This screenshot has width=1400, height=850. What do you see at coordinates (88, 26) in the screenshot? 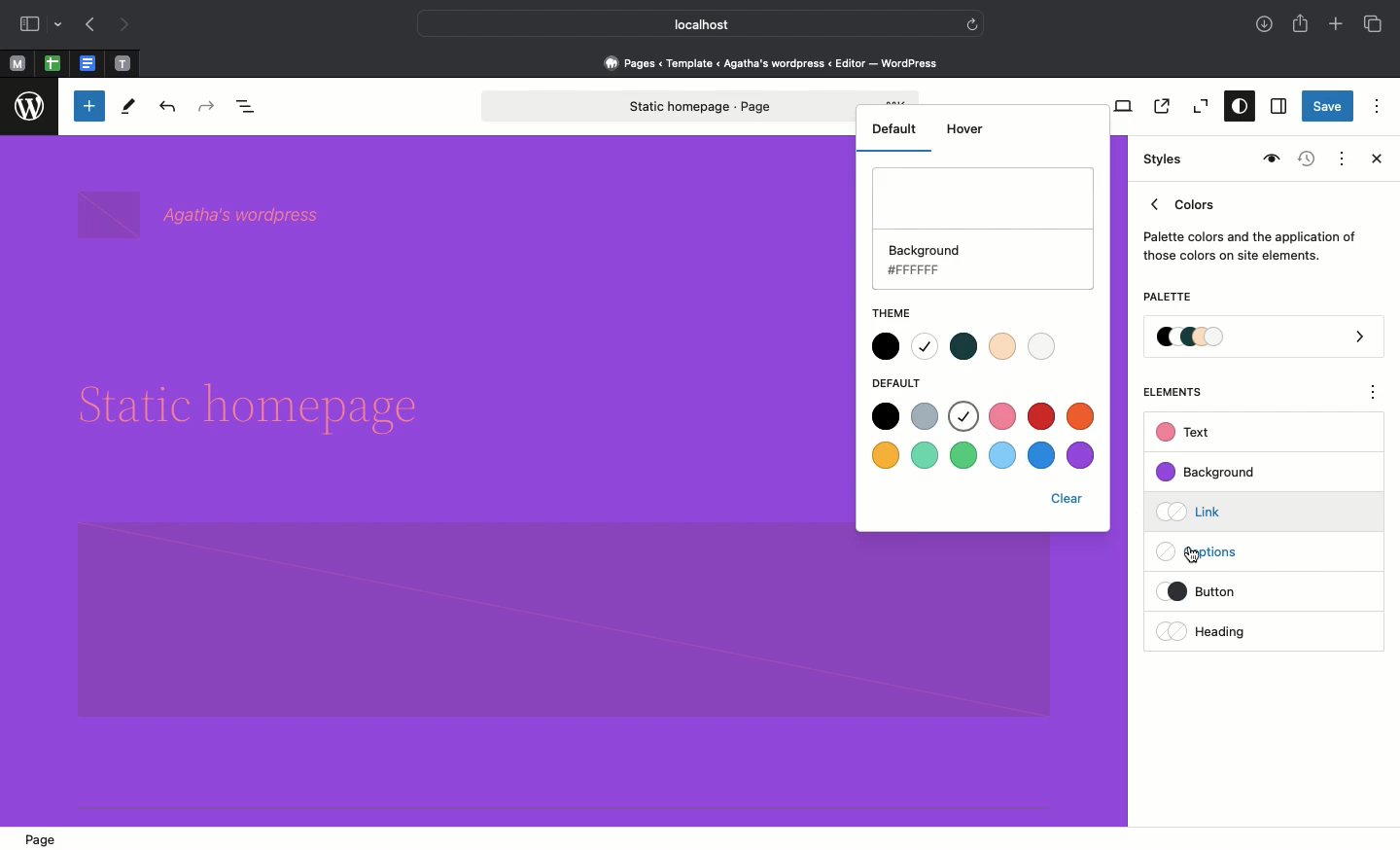
I see `Previous page` at bounding box center [88, 26].